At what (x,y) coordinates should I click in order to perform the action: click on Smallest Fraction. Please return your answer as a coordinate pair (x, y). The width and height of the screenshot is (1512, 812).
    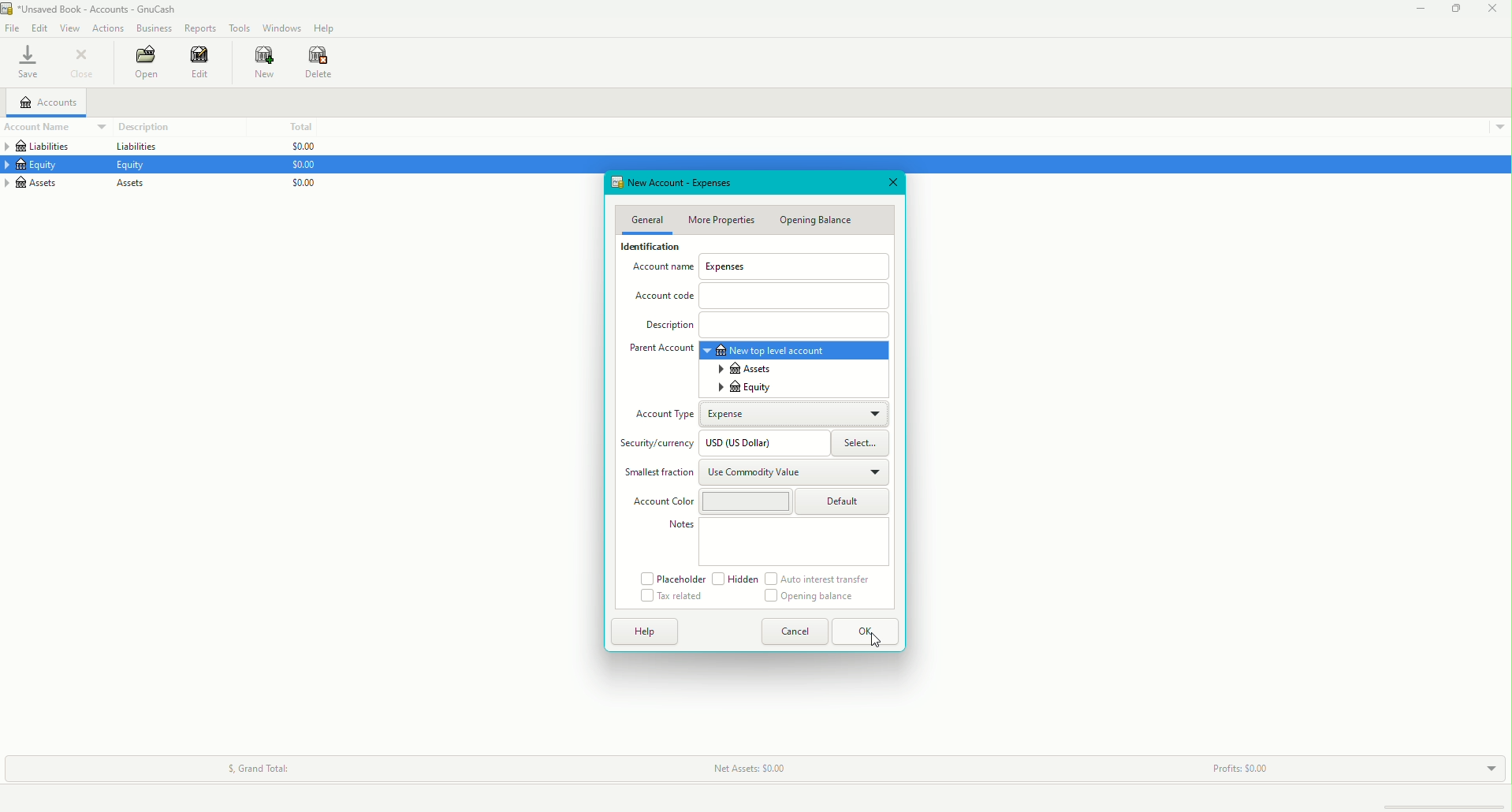
    Looking at the image, I should click on (658, 472).